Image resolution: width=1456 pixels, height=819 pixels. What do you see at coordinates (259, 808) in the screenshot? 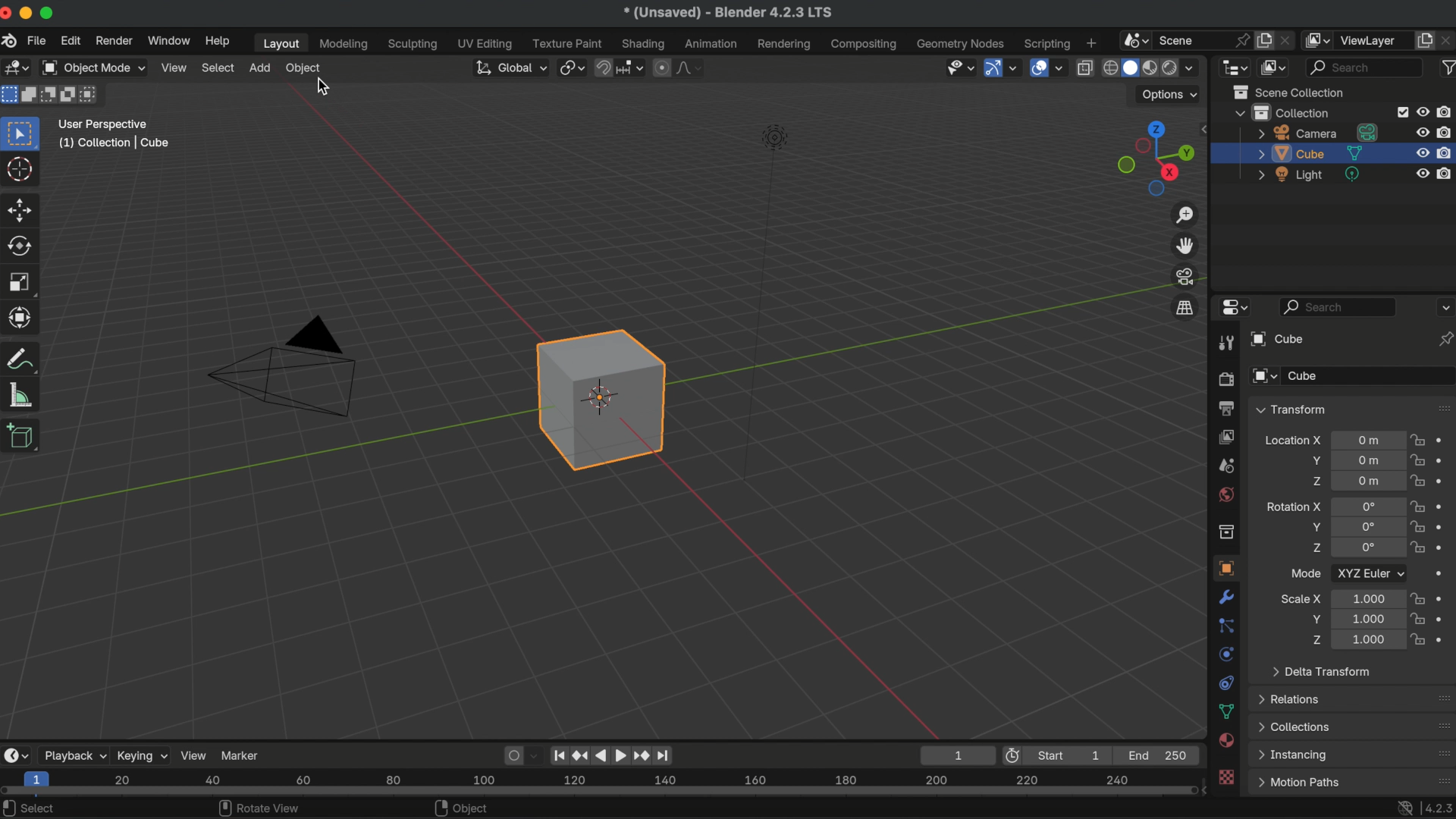
I see `rotate view` at bounding box center [259, 808].